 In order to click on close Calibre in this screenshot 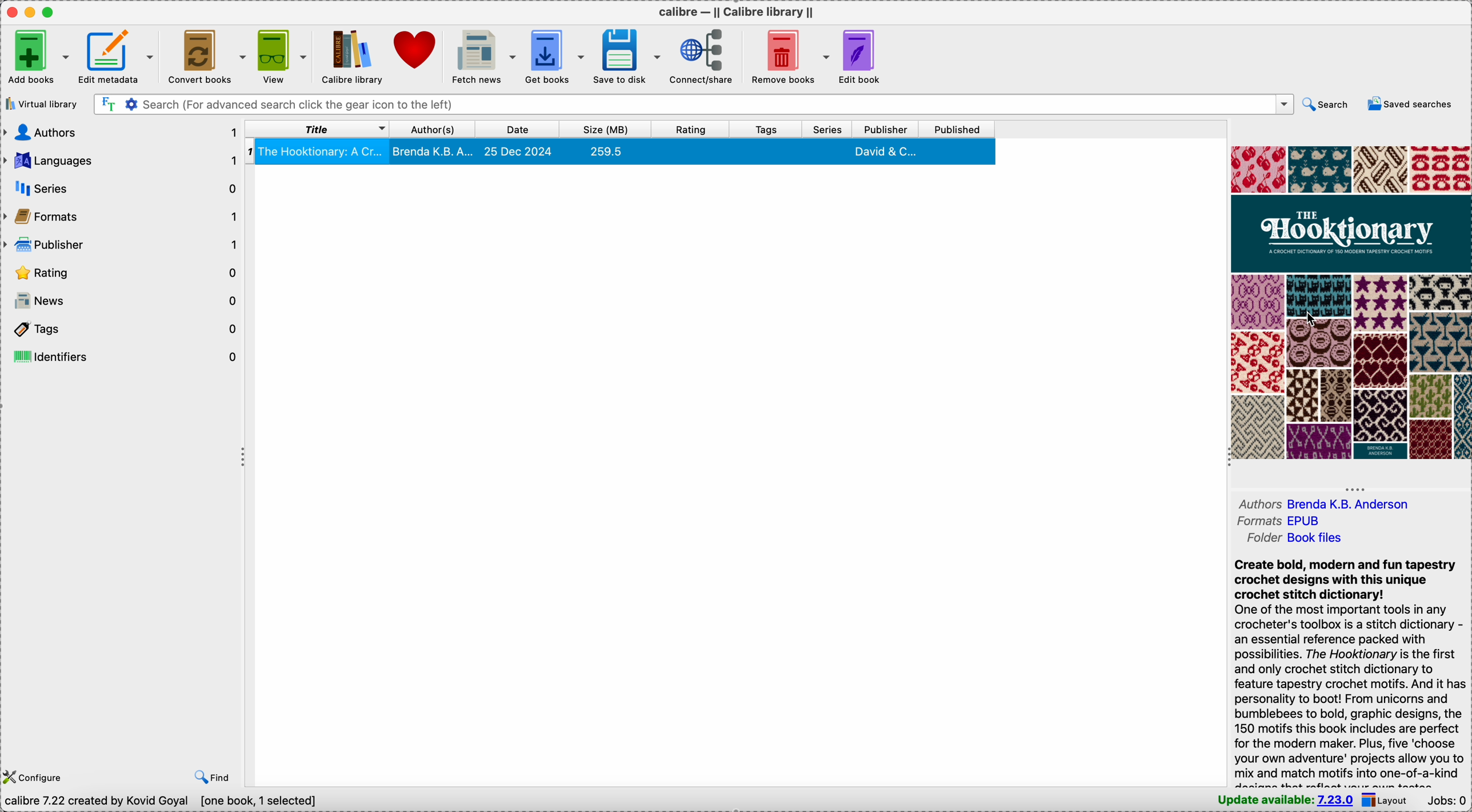, I will do `click(12, 13)`.